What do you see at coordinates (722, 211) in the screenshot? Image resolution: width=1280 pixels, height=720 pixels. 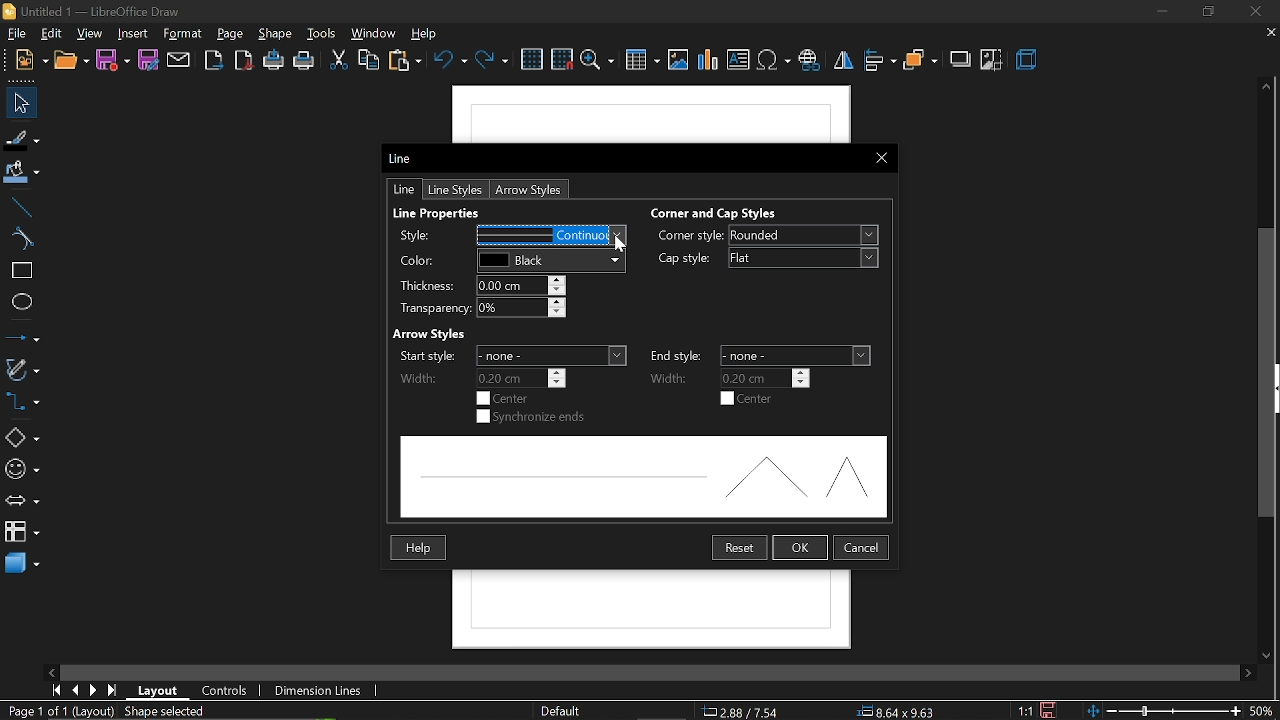 I see `Corner and Cao Styles` at bounding box center [722, 211].